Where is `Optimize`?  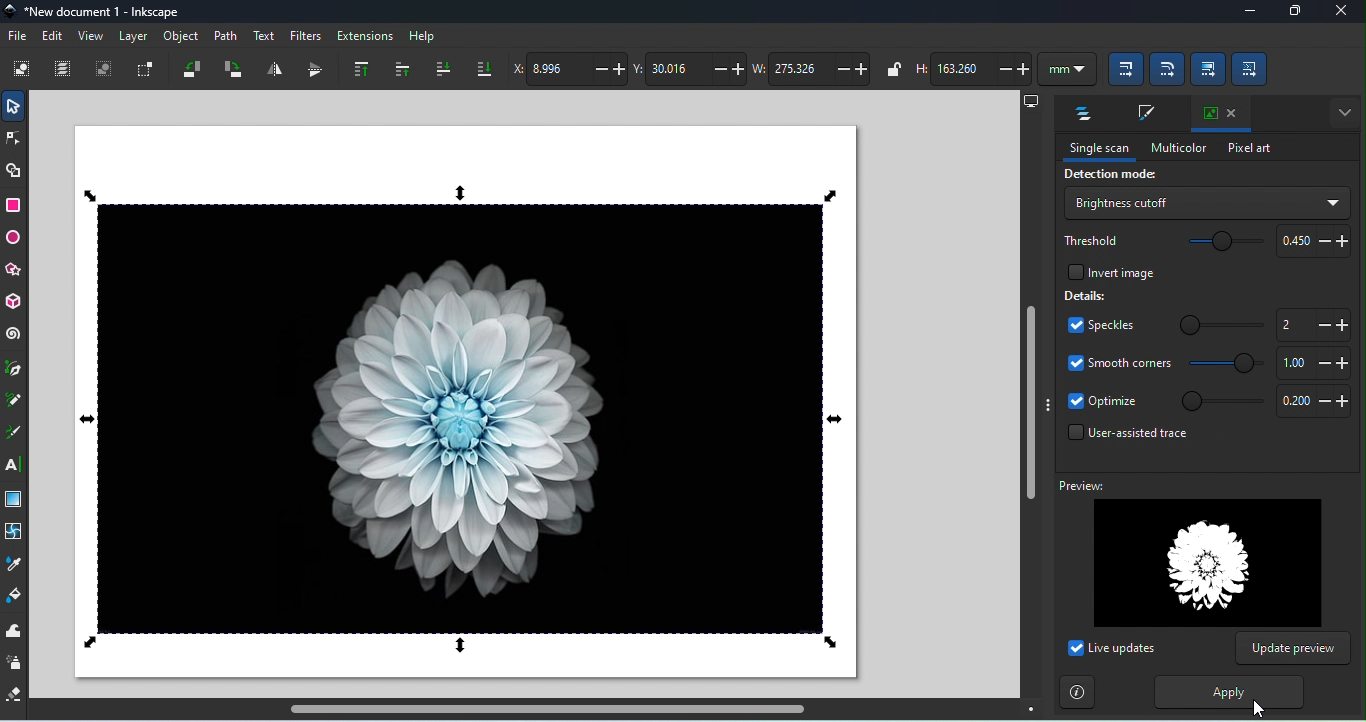 Optimize is located at coordinates (1102, 403).